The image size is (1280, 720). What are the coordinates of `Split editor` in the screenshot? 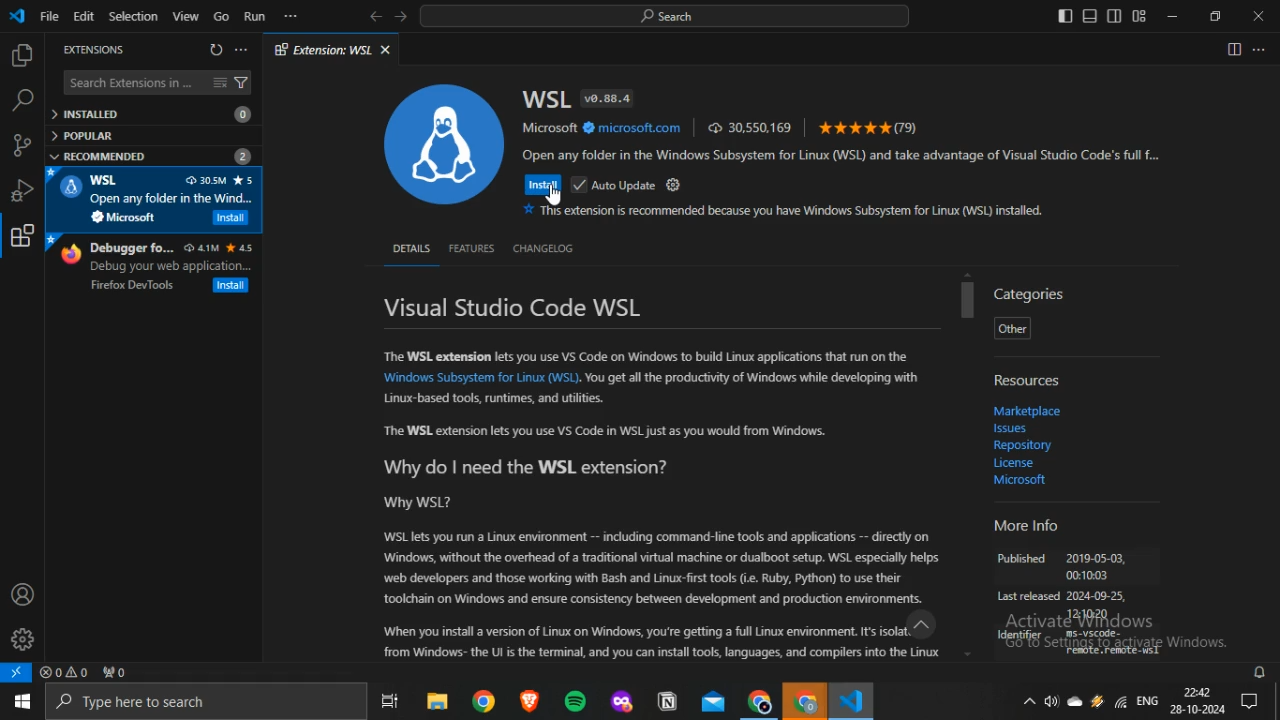 It's located at (1234, 49).